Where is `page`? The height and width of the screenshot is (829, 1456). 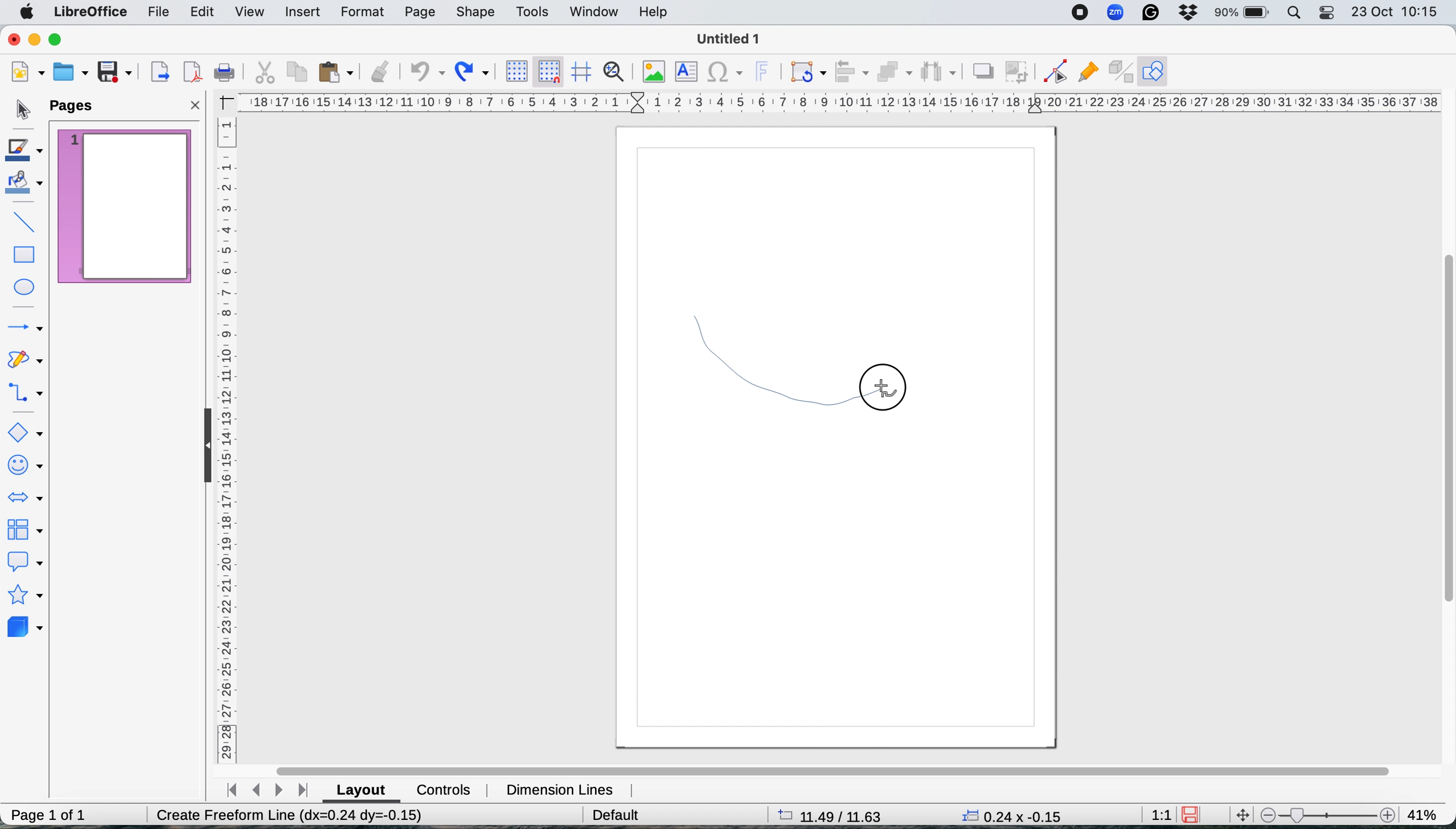
page is located at coordinates (421, 13).